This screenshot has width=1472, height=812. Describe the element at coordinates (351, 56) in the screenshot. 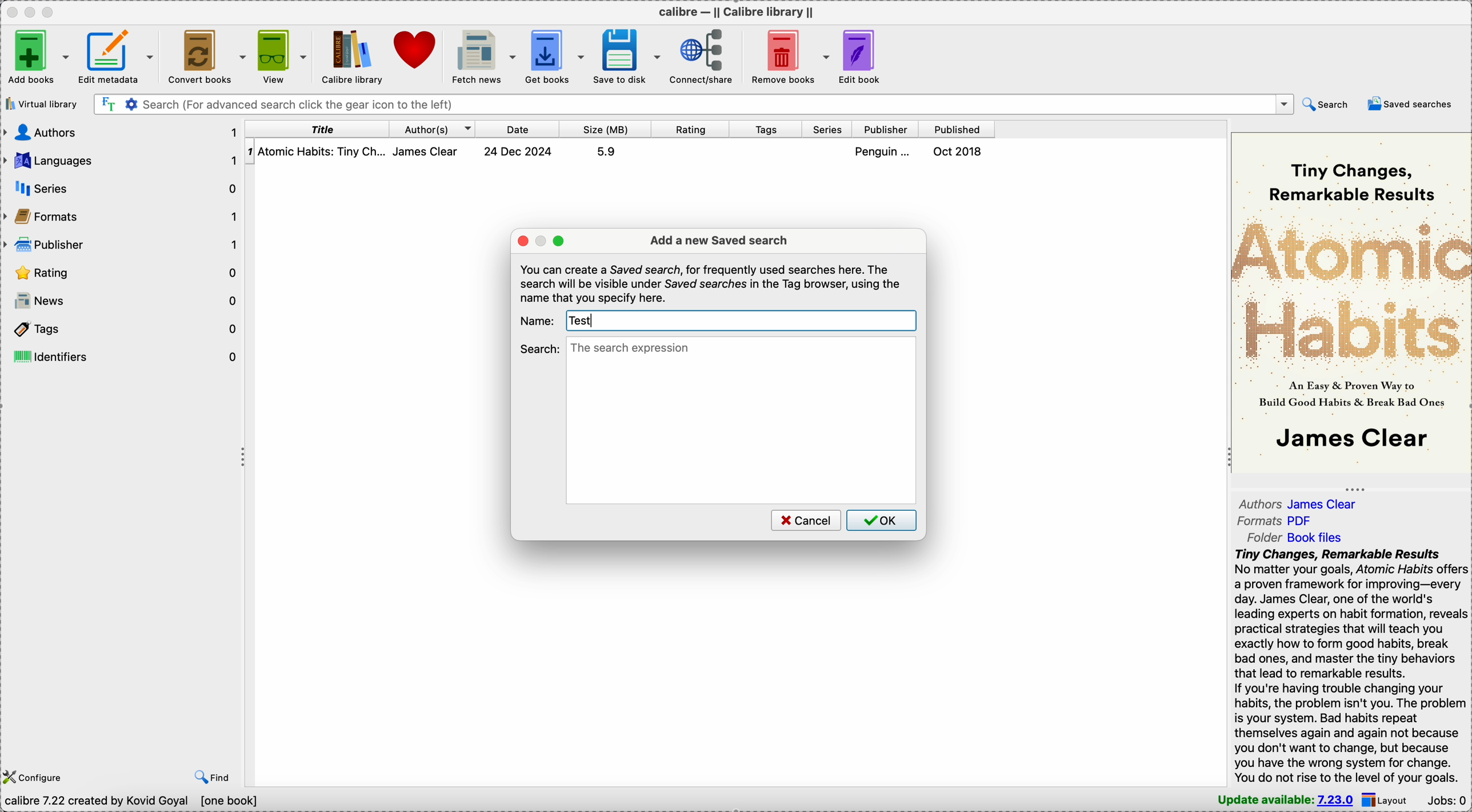

I see `Calibre library` at that location.